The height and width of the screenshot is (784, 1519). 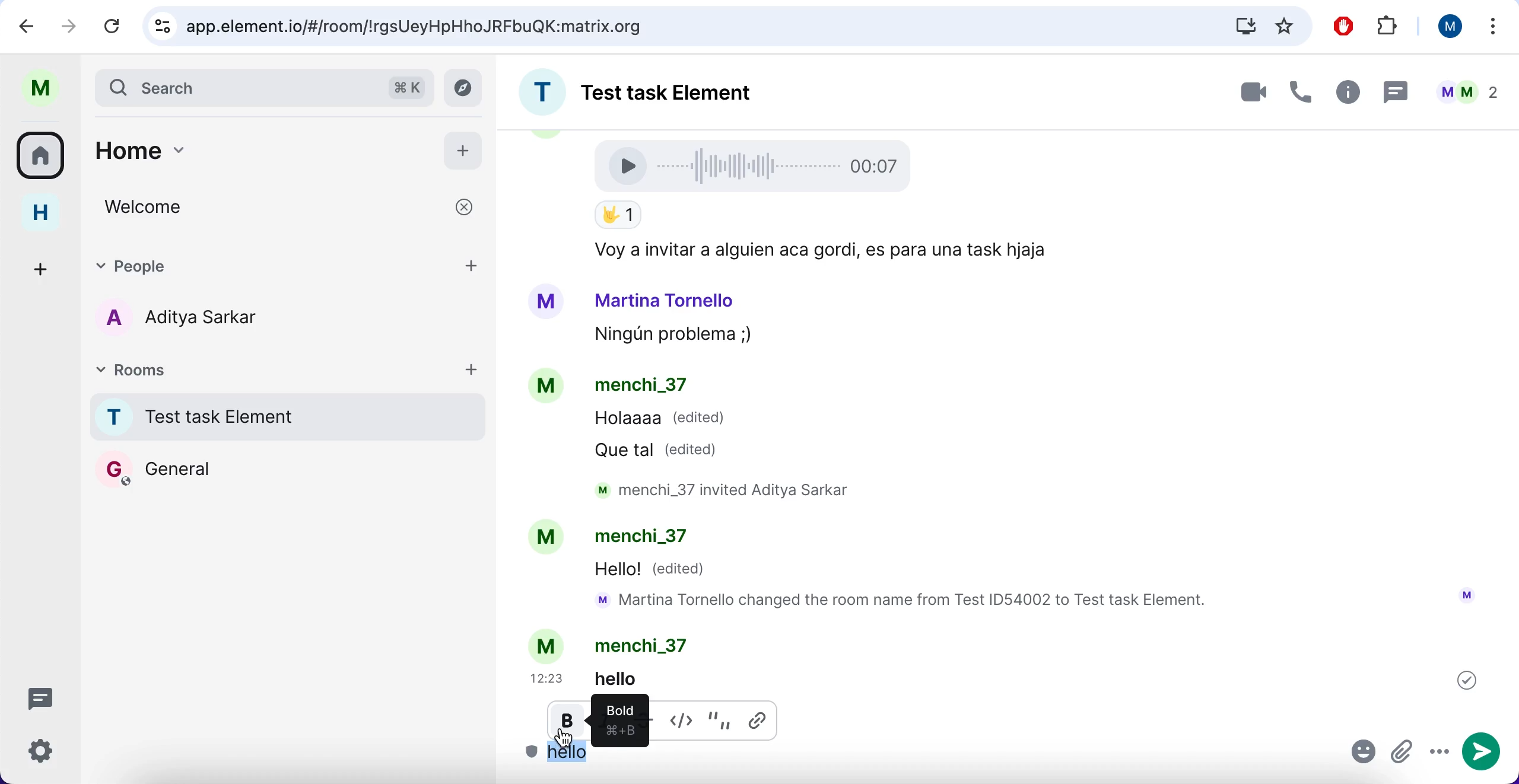 I want to click on thread, so click(x=1394, y=91).